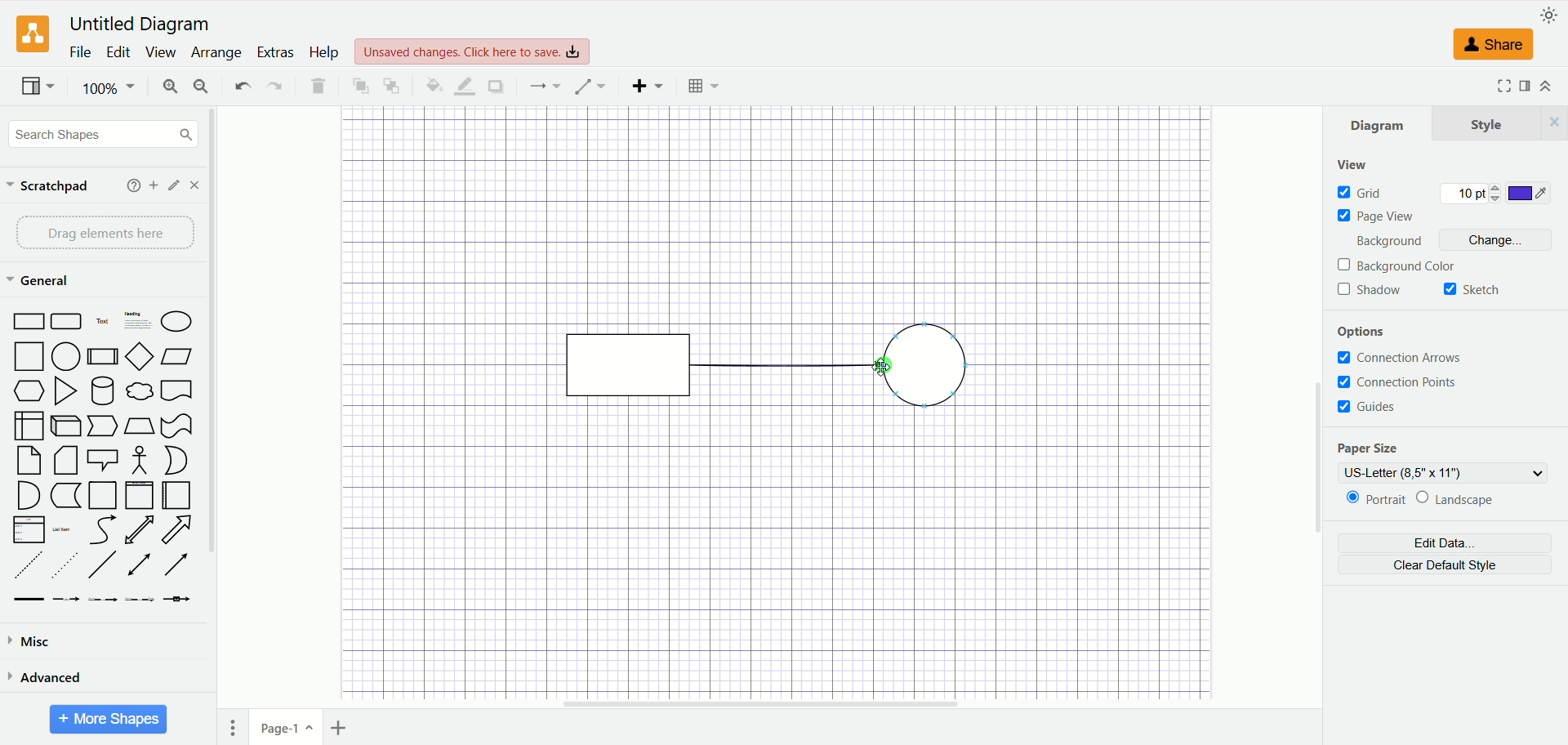 This screenshot has height=745, width=1568. What do you see at coordinates (65, 497) in the screenshot?
I see `Marker` at bounding box center [65, 497].